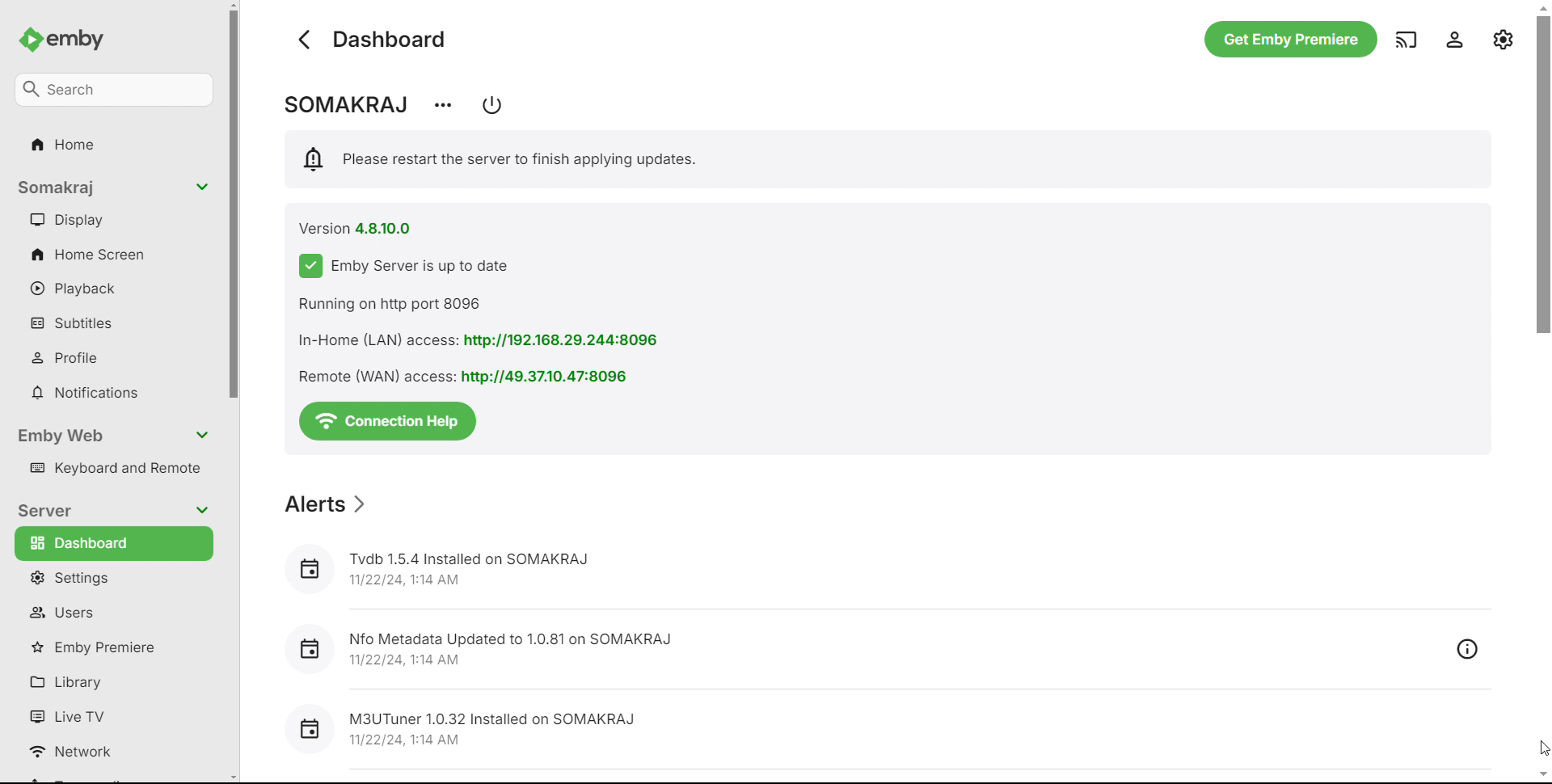 This screenshot has width=1552, height=784. Describe the element at coordinates (113, 712) in the screenshot. I see `live tv` at that location.